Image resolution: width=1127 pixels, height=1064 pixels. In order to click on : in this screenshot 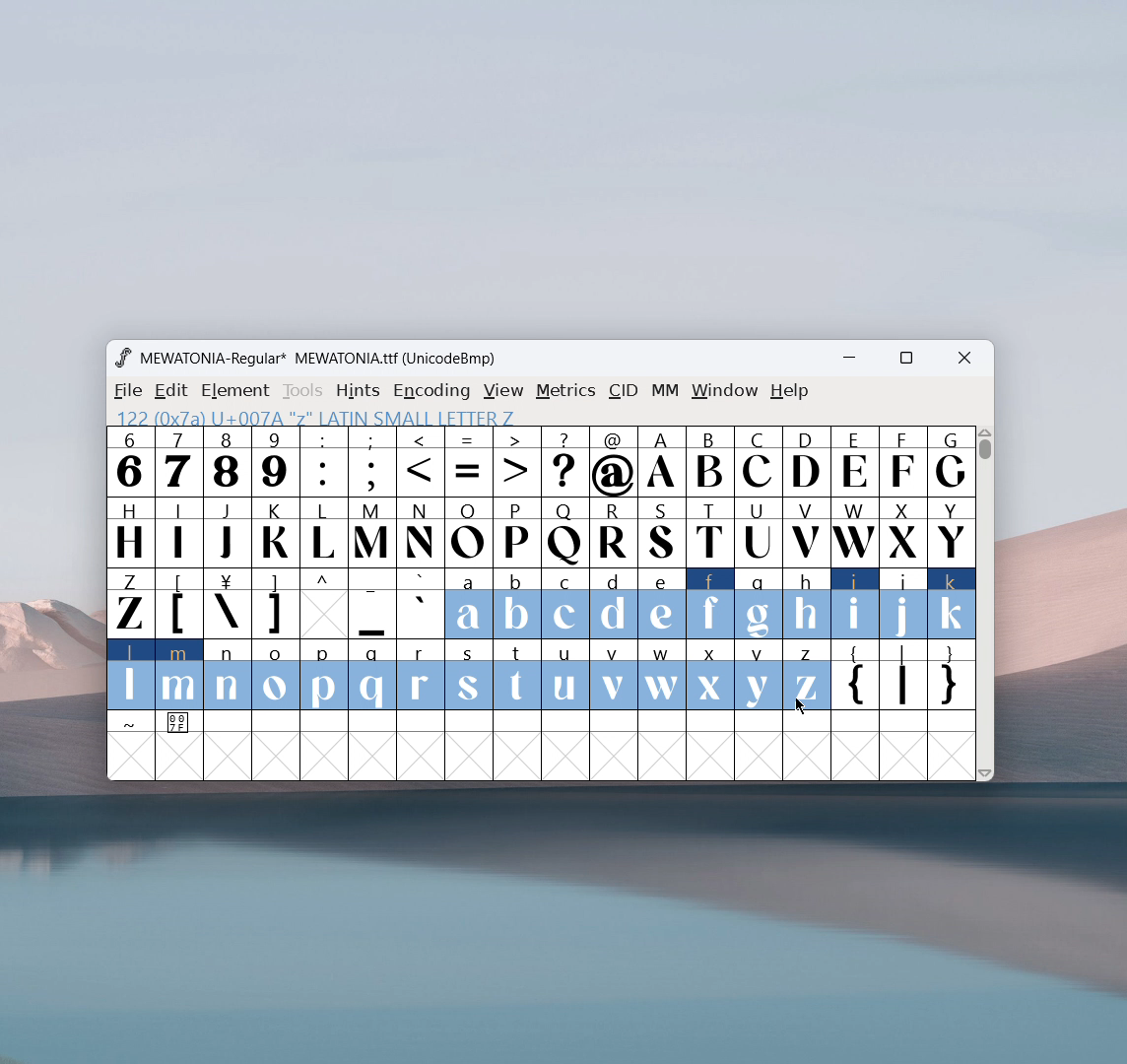, I will do `click(323, 462)`.